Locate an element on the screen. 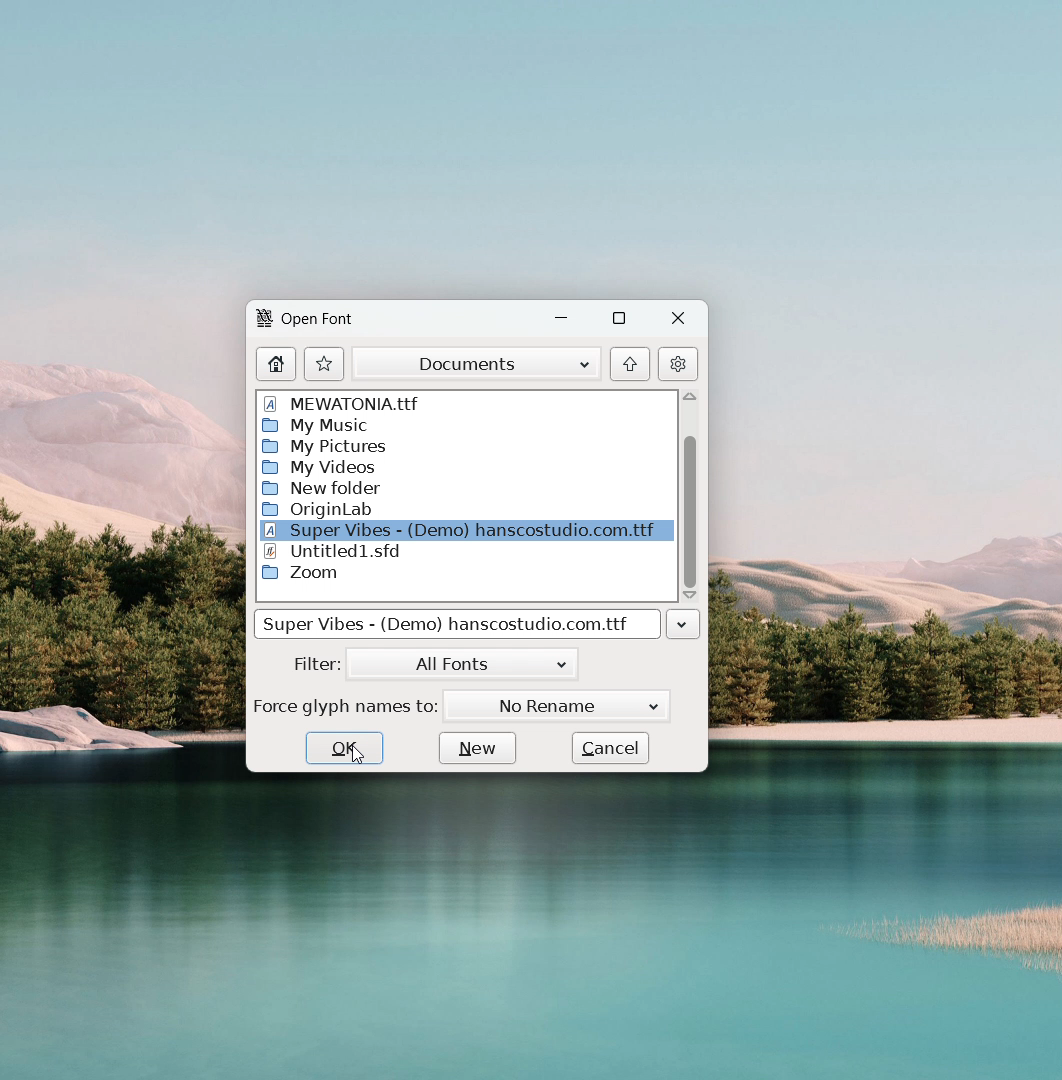 Image resolution: width=1062 pixels, height=1080 pixels. go to originating folder is located at coordinates (630, 363).